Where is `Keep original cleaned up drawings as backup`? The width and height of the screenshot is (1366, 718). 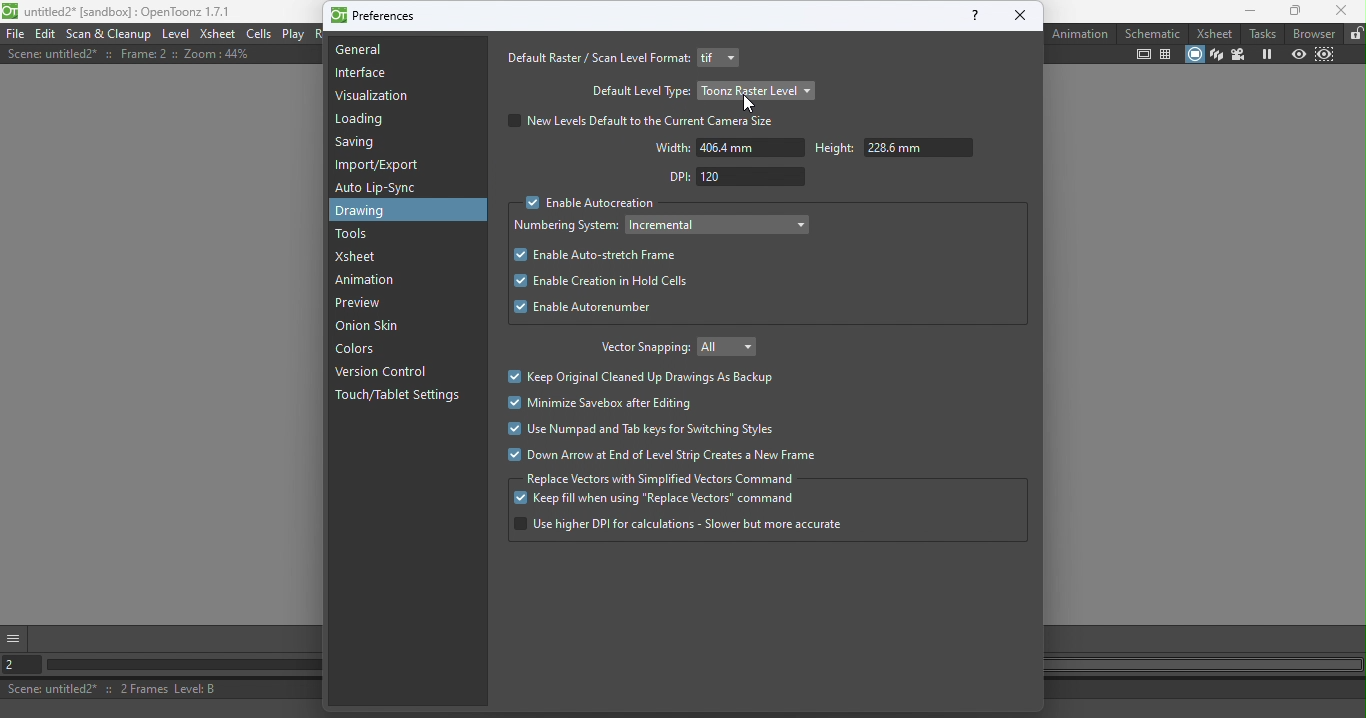
Keep original cleaned up drawings as backup is located at coordinates (646, 377).